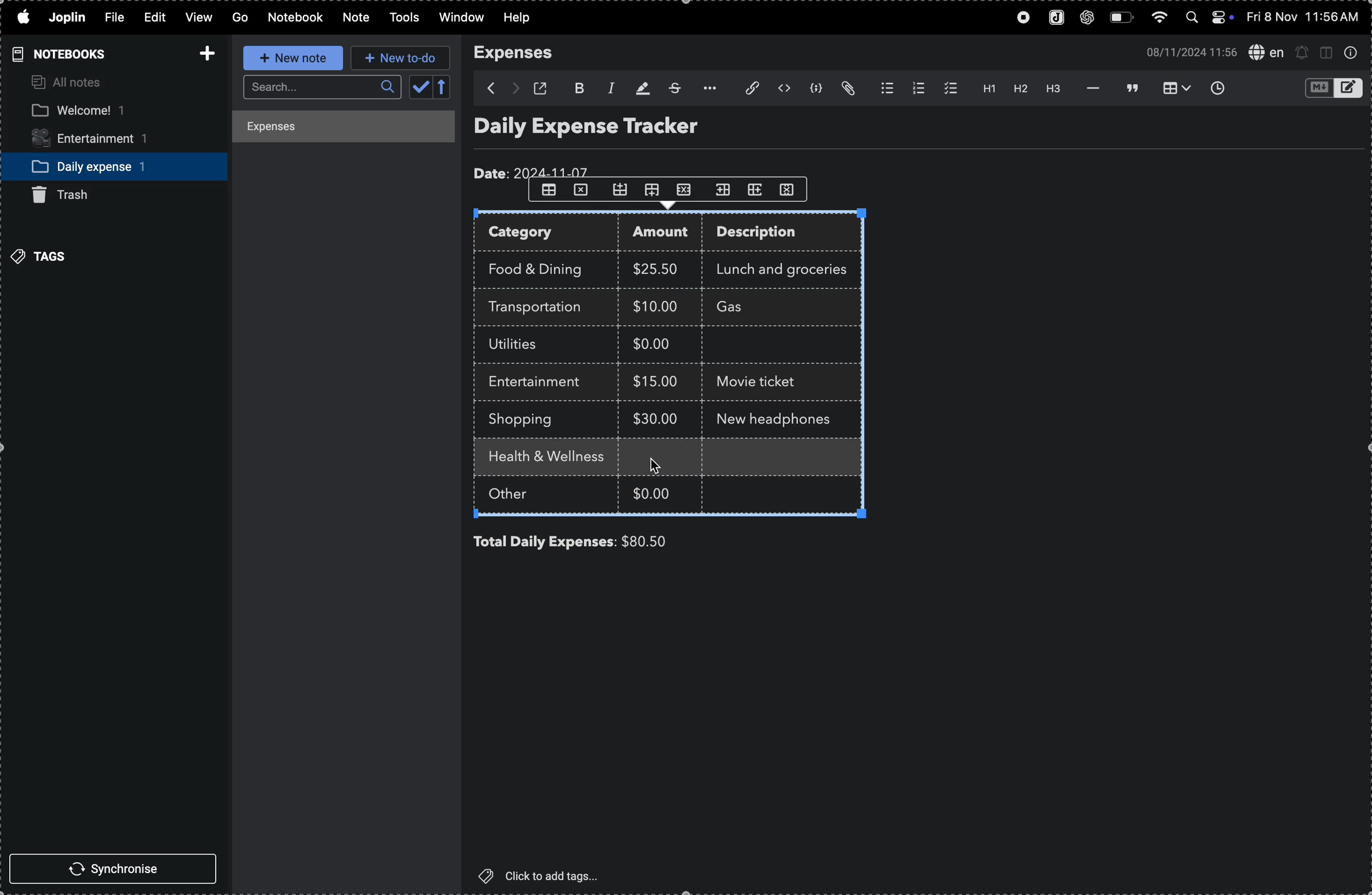  Describe the element at coordinates (70, 195) in the screenshot. I see `trash` at that location.